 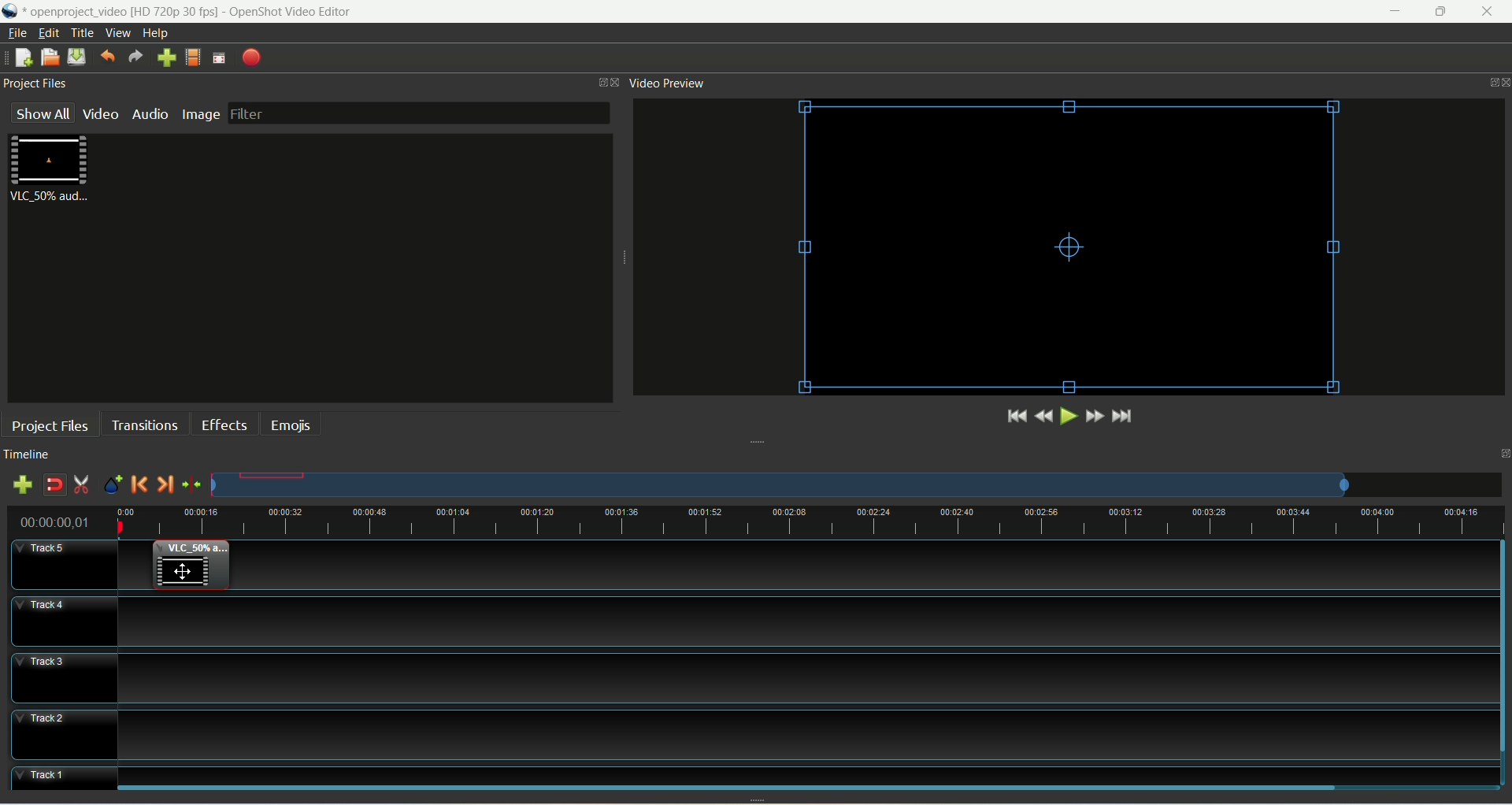 I want to click on Panel control menu, so click(x=610, y=83).